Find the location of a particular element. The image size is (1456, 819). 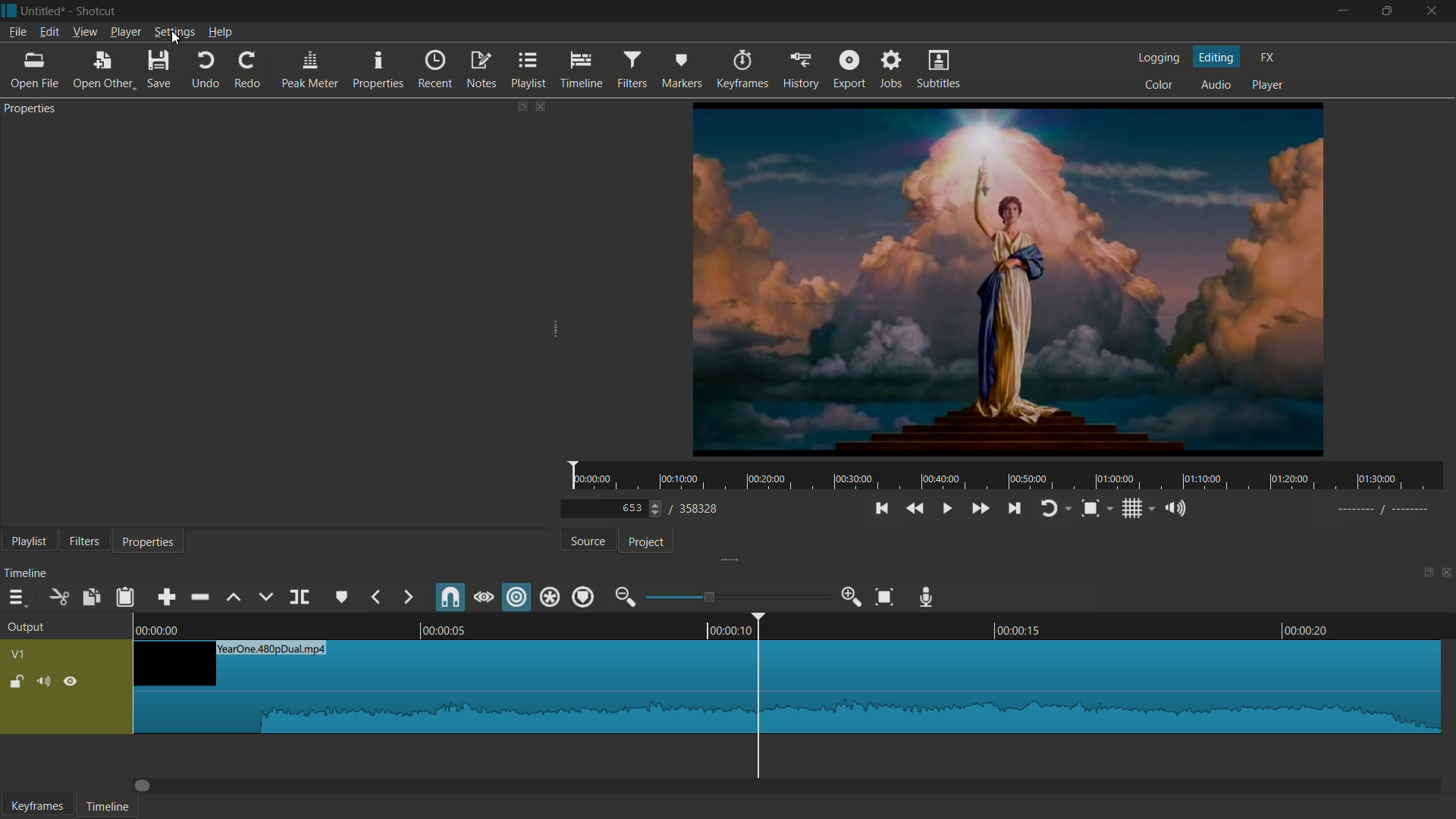

copy is located at coordinates (95, 597).